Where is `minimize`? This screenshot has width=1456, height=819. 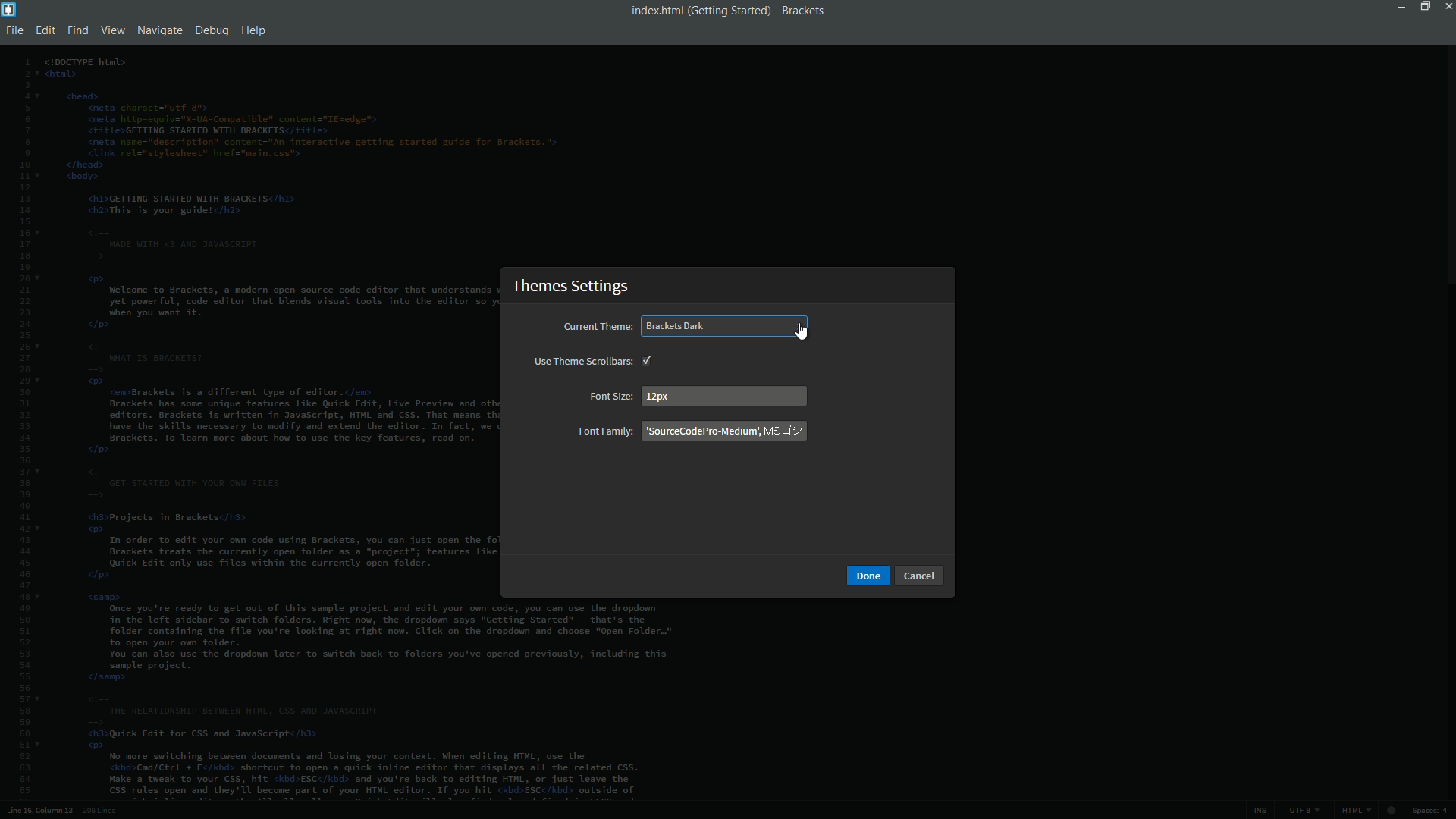
minimize is located at coordinates (1398, 6).